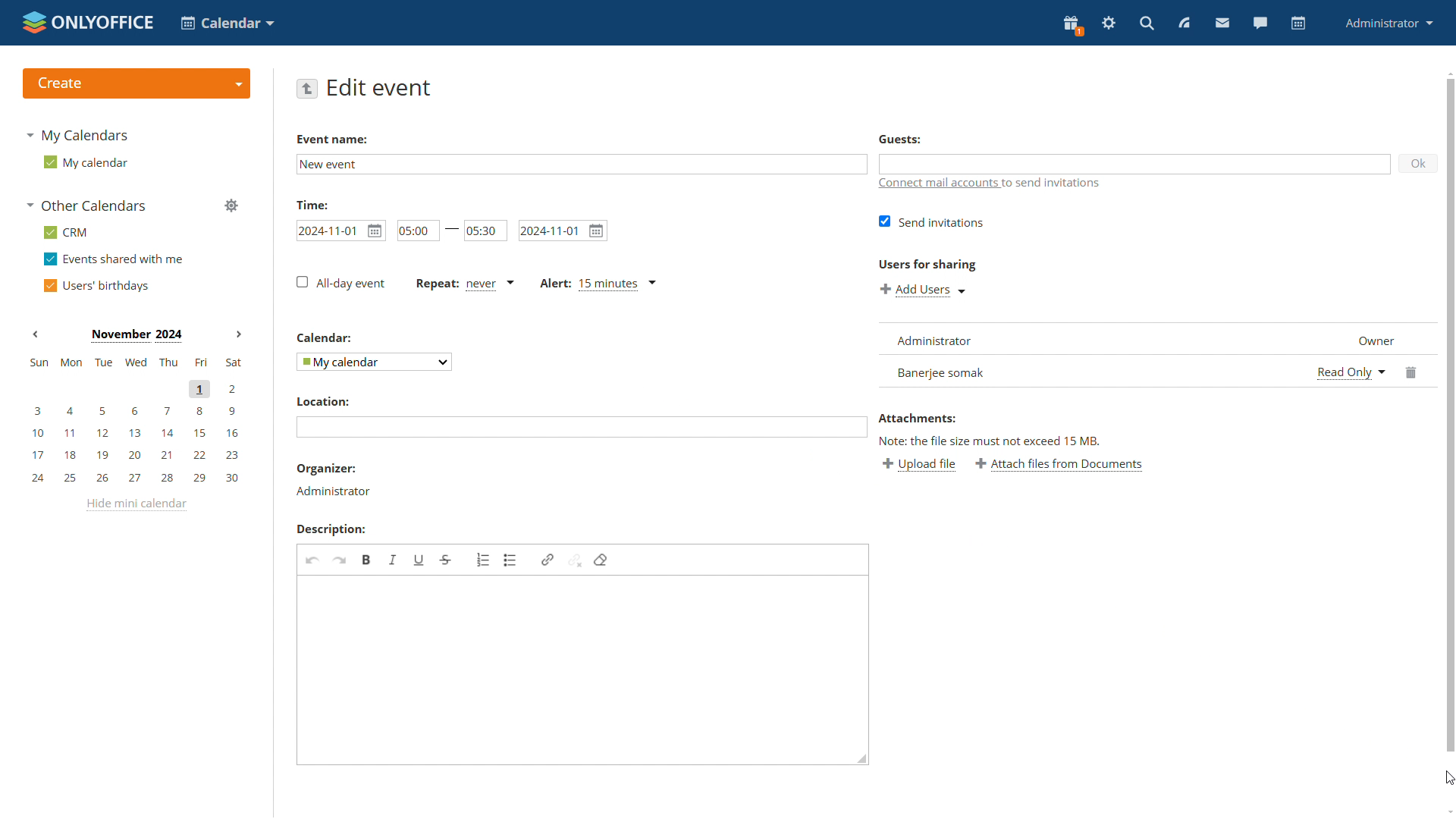  What do you see at coordinates (340, 561) in the screenshot?
I see `redo` at bounding box center [340, 561].